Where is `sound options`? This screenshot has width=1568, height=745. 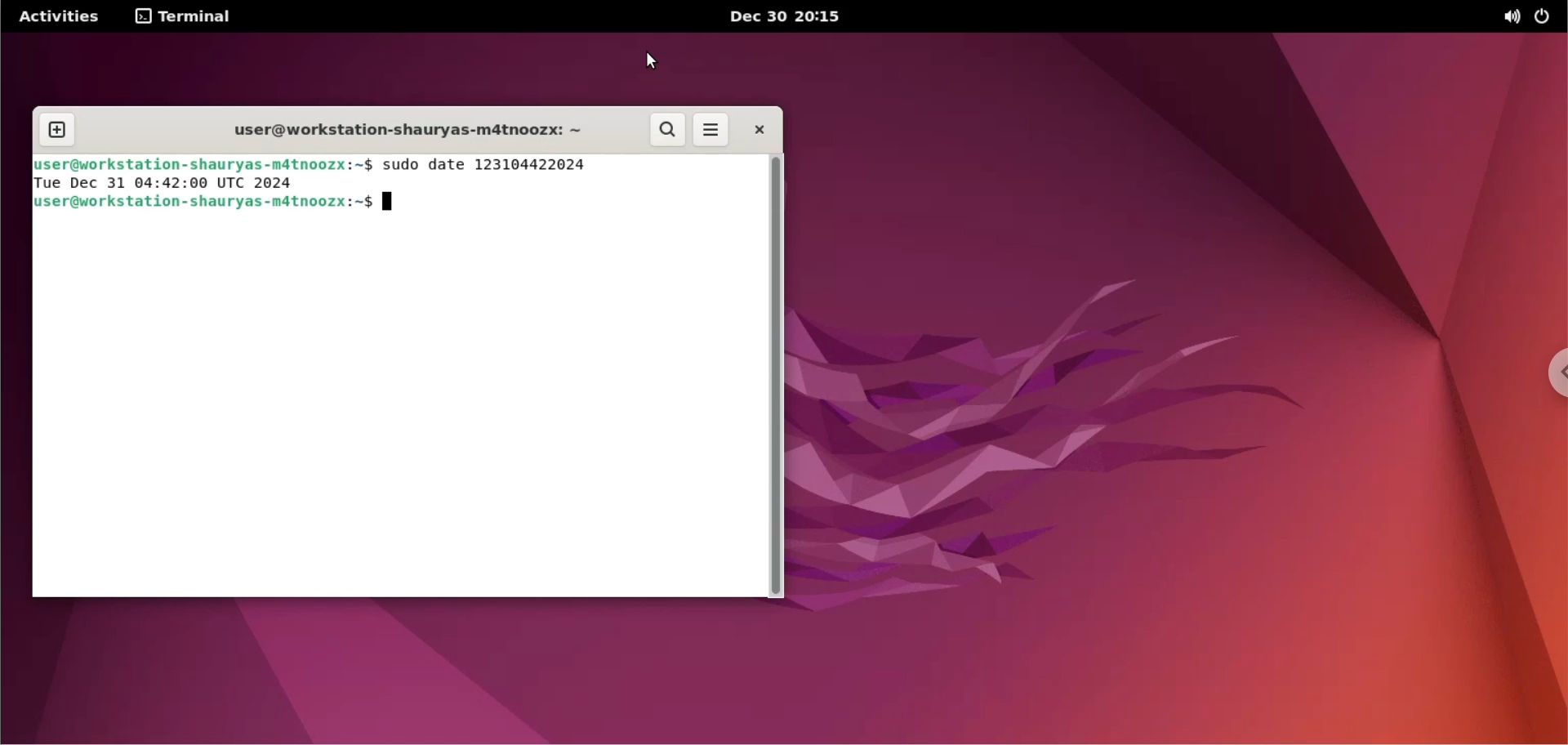 sound options is located at coordinates (1511, 16).